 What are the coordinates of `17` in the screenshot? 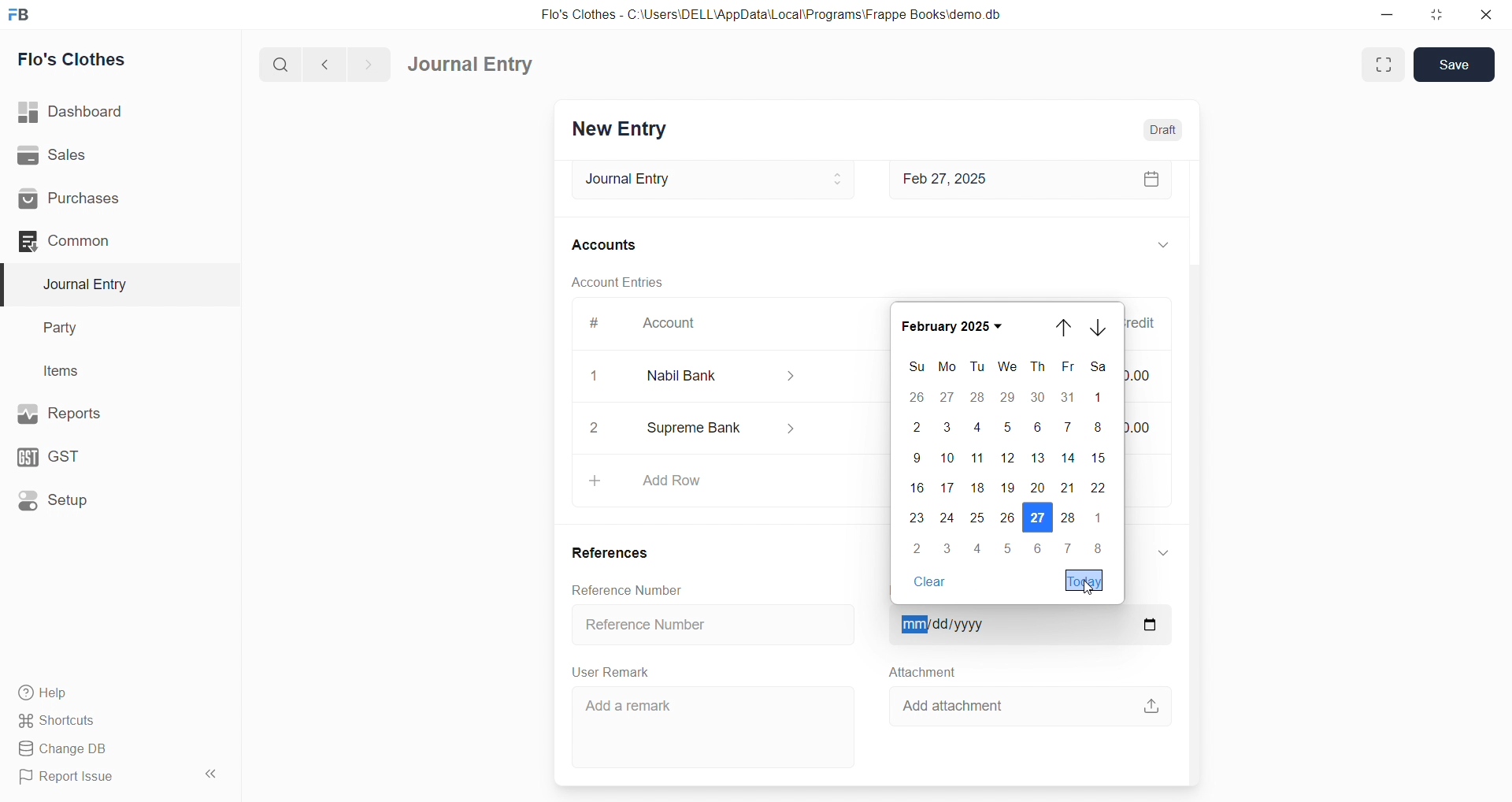 It's located at (947, 487).